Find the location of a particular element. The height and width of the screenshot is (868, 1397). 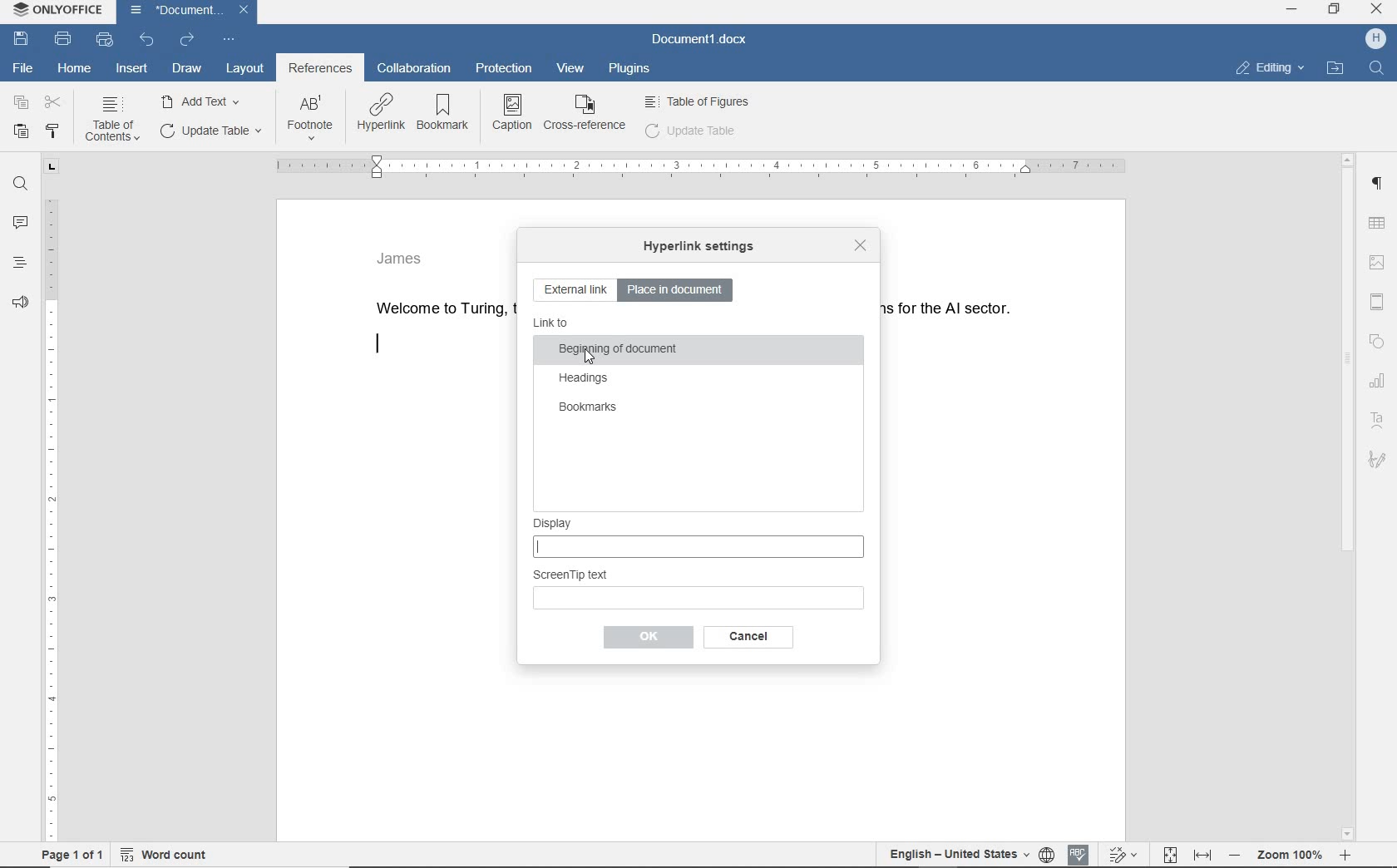

Restore down is located at coordinates (1338, 13).